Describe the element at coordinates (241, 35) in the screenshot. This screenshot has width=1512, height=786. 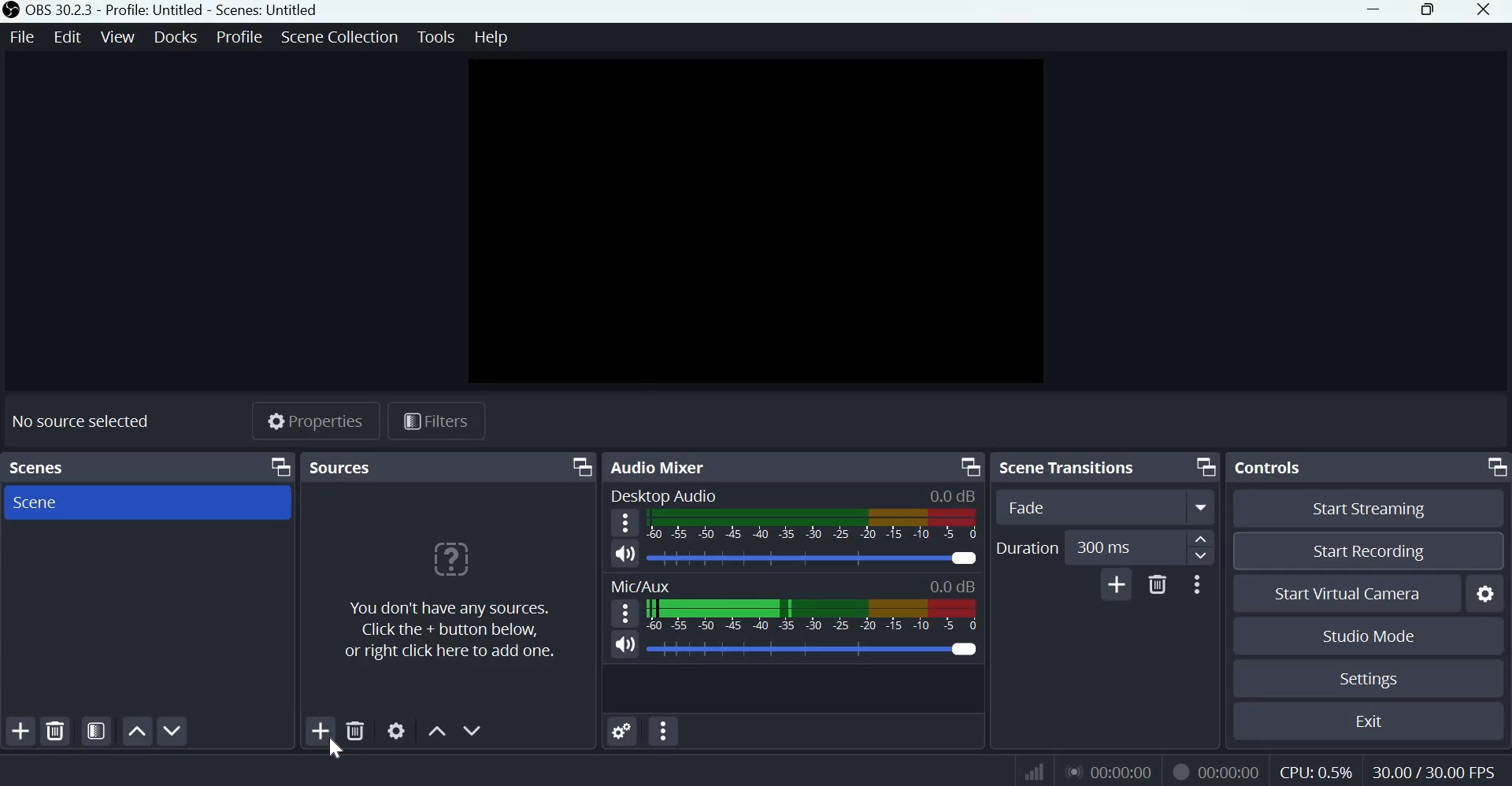
I see `profile` at that location.